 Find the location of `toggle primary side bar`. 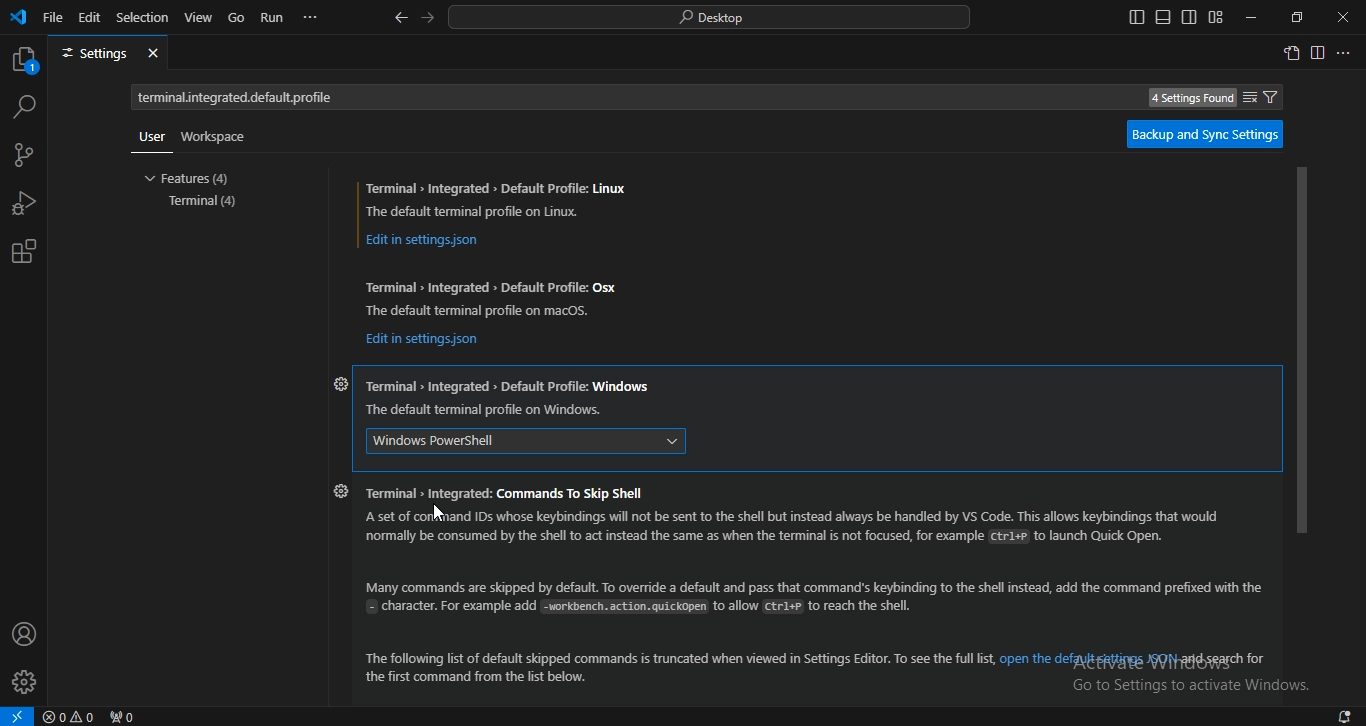

toggle primary side bar is located at coordinates (1137, 17).